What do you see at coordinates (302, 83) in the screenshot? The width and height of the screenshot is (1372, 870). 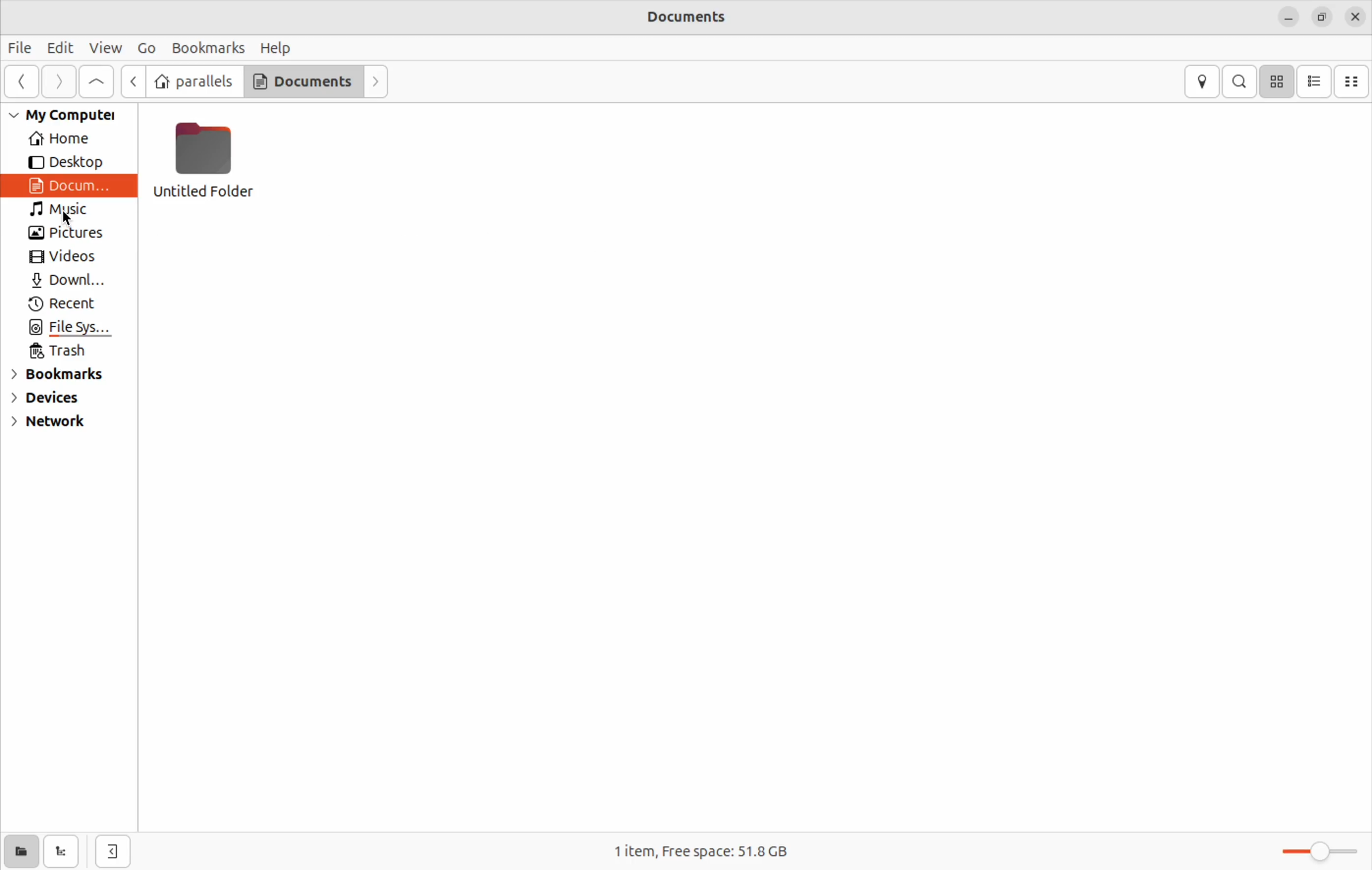 I see `Documents` at bounding box center [302, 83].